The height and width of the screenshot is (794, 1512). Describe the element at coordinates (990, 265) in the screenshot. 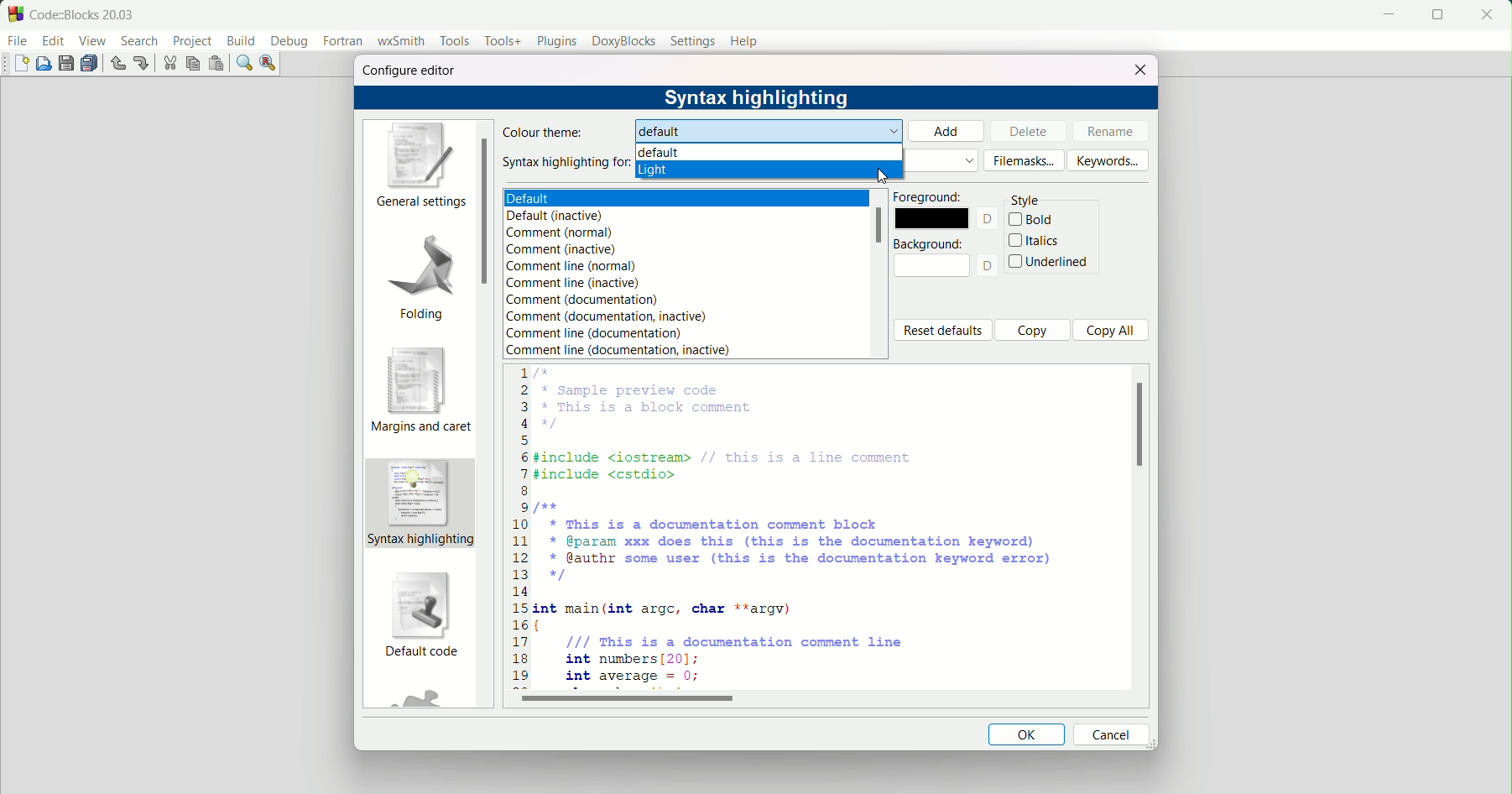

I see `text` at that location.